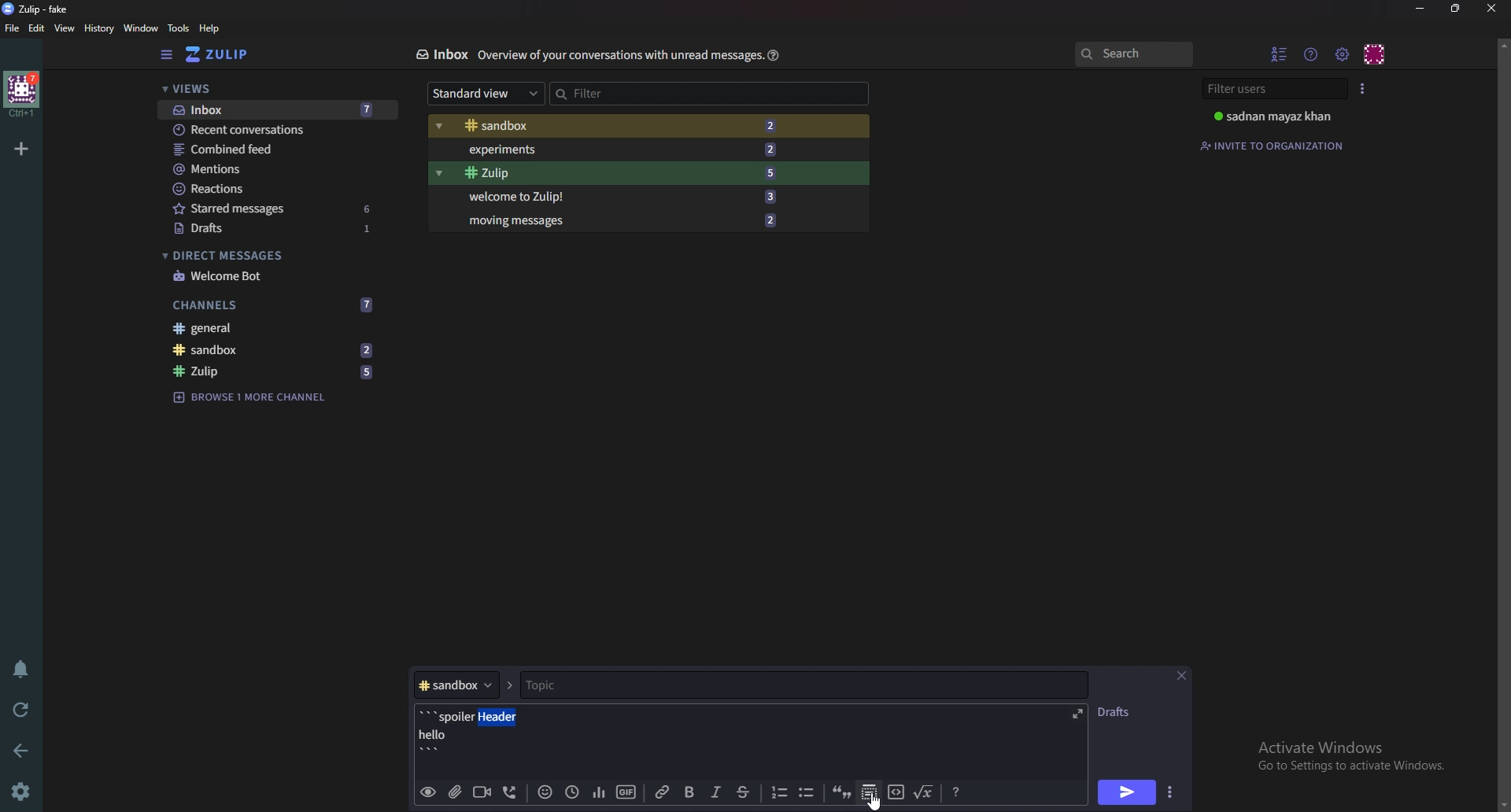  What do you see at coordinates (663, 793) in the screenshot?
I see `link` at bounding box center [663, 793].